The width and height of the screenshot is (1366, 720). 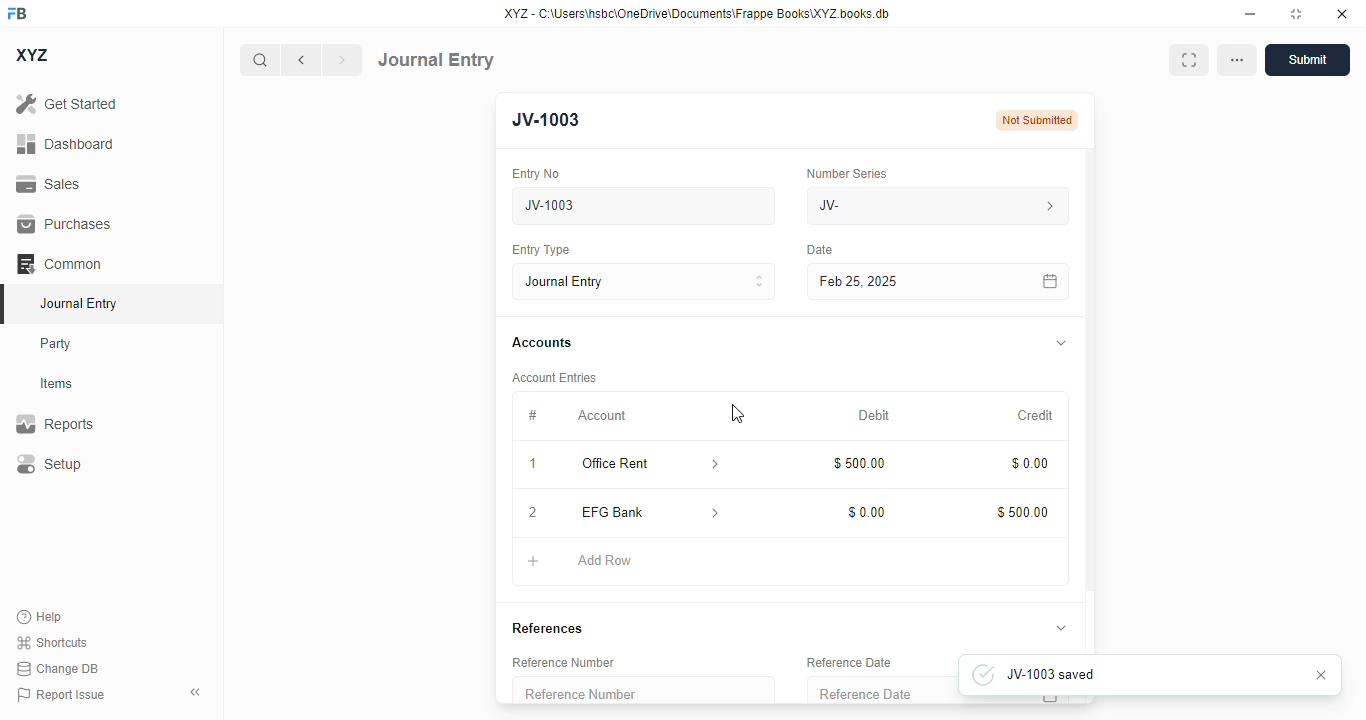 I want to click on #, so click(x=532, y=416).